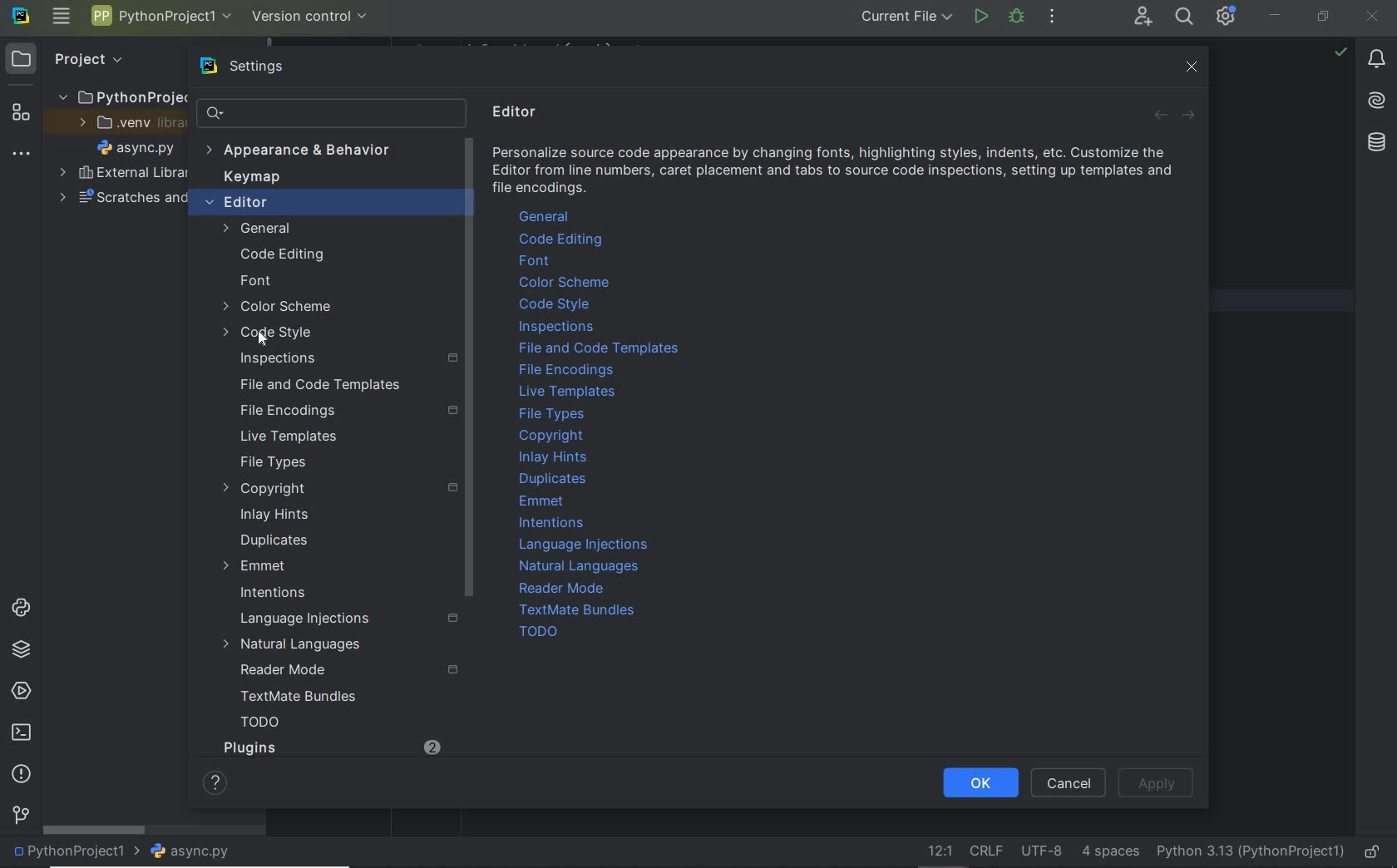 Image resolution: width=1397 pixels, height=868 pixels. Describe the element at coordinates (1159, 783) in the screenshot. I see `APPLY` at that location.